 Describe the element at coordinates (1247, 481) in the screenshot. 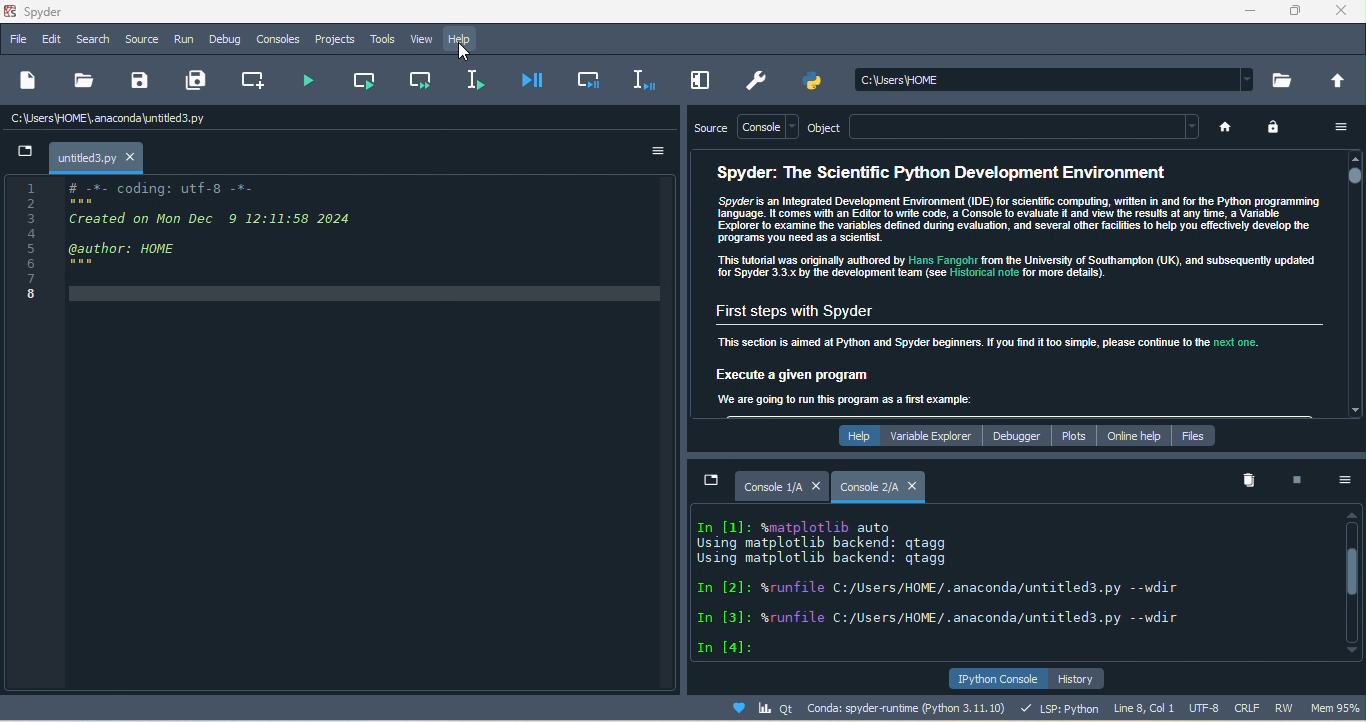

I see `remove all` at that location.